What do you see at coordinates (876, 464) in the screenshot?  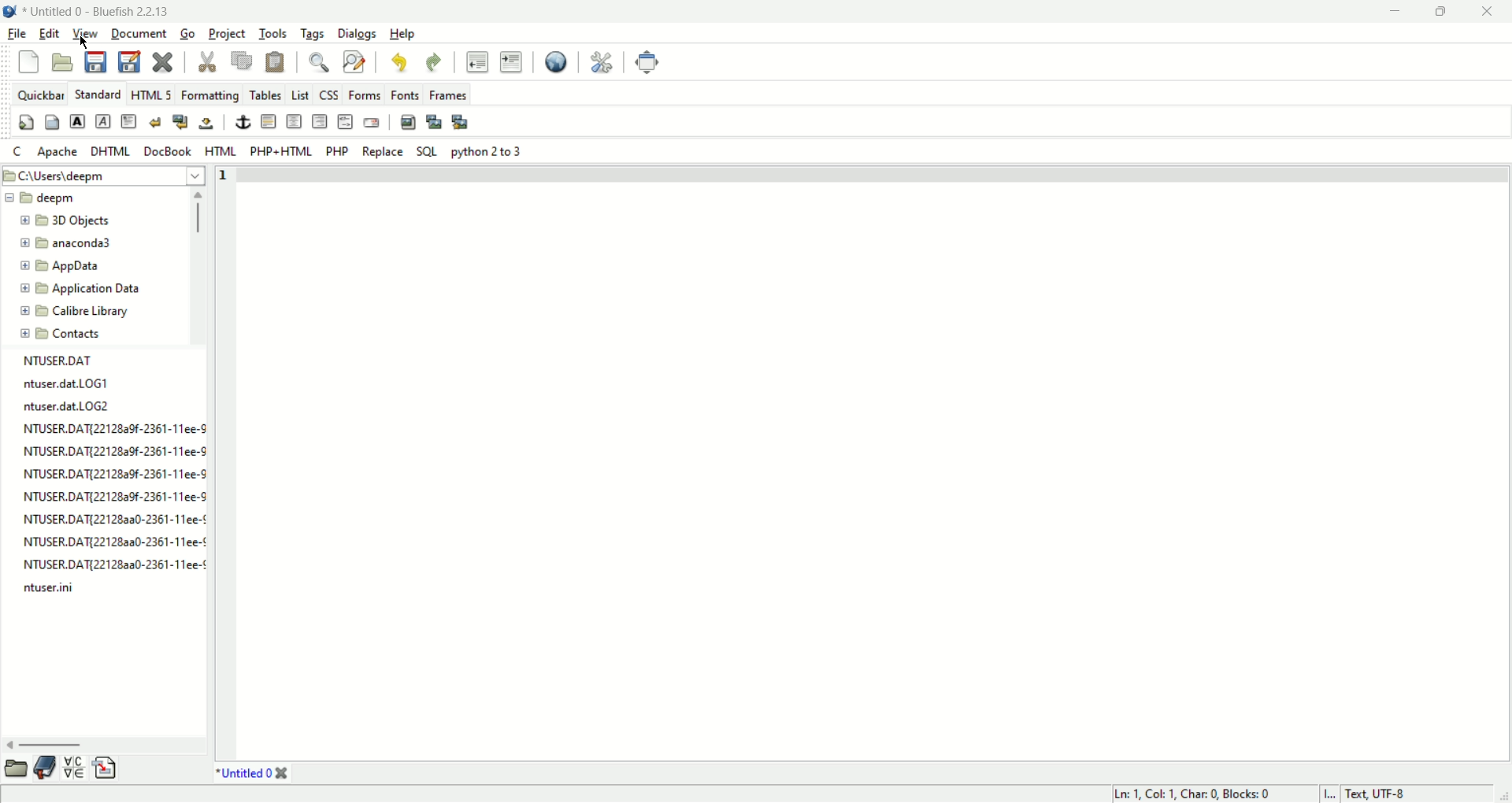 I see `editor` at bounding box center [876, 464].